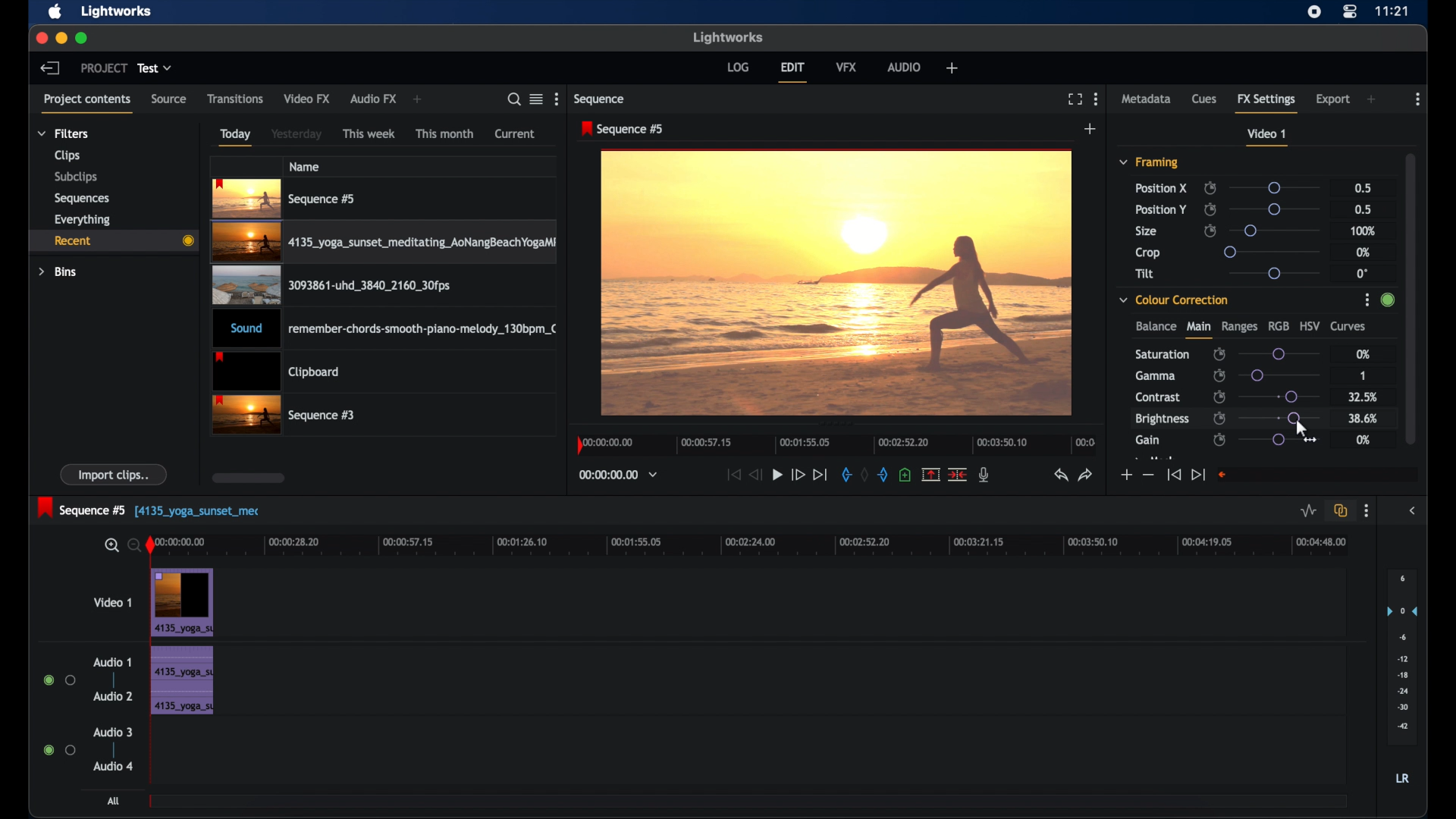 The width and height of the screenshot is (1456, 819). I want to click on audio, so click(905, 67).